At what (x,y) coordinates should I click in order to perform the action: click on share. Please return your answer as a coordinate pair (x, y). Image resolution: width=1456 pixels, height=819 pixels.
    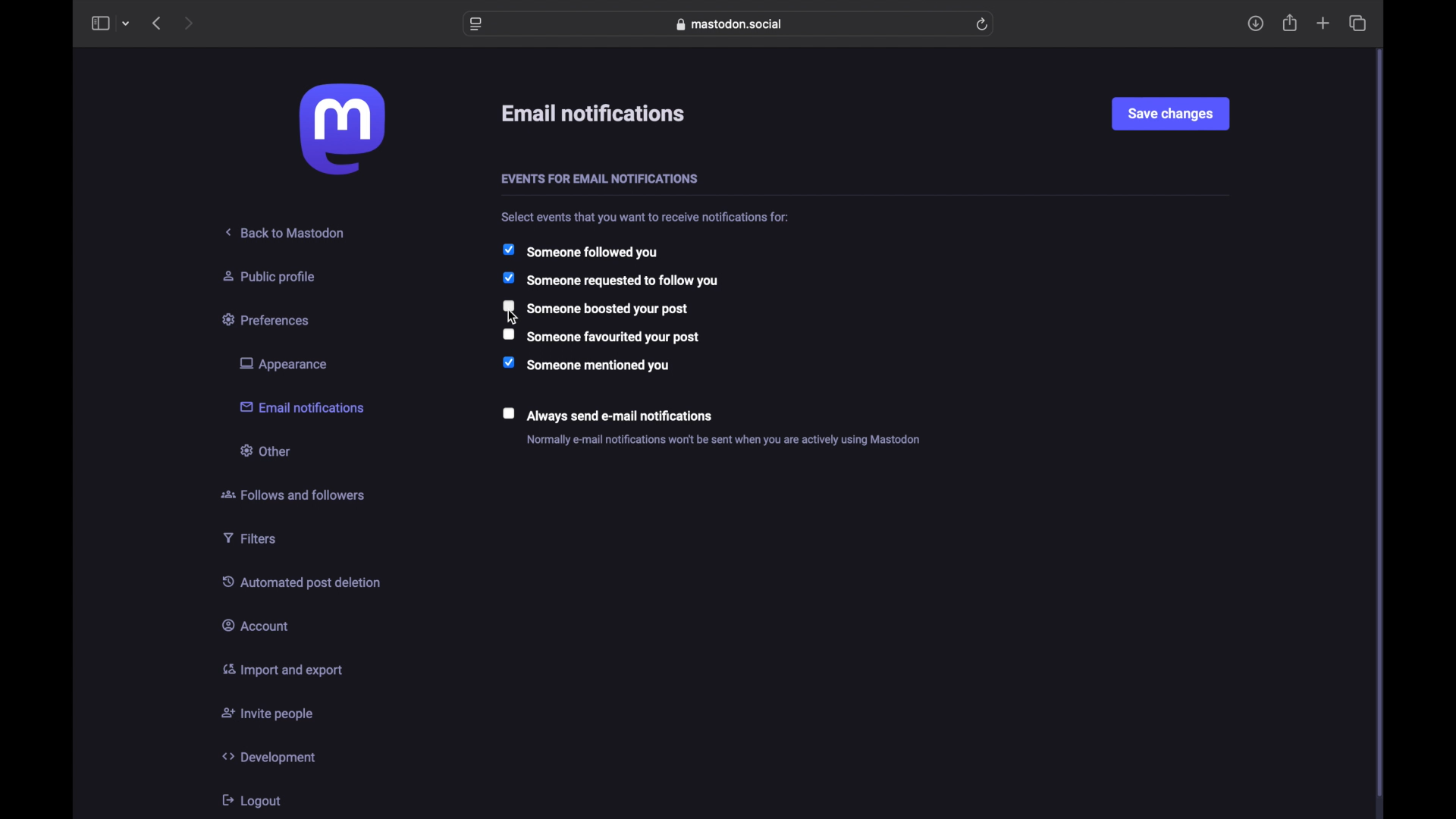
    Looking at the image, I should click on (1291, 23).